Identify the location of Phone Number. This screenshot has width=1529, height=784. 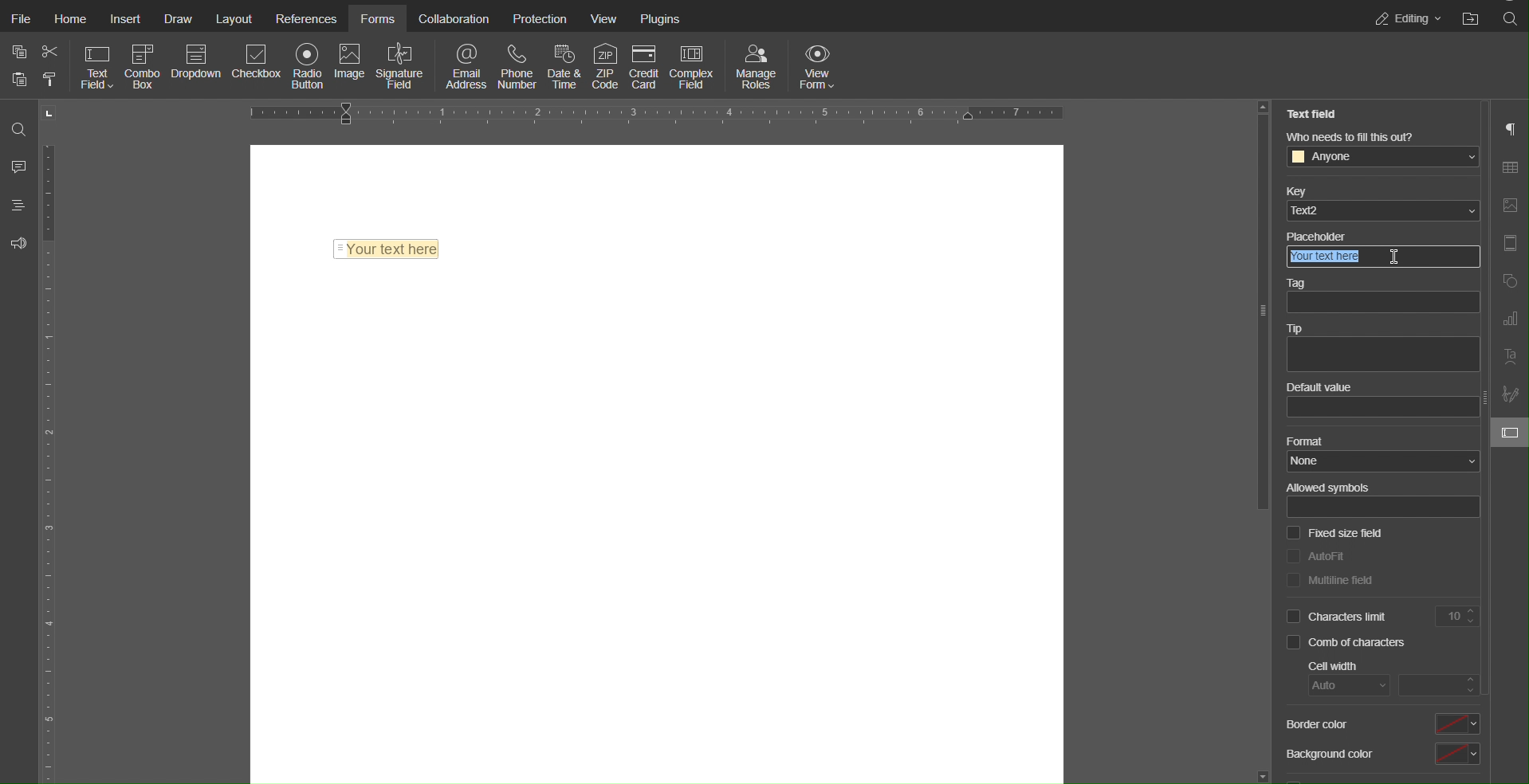
(517, 66).